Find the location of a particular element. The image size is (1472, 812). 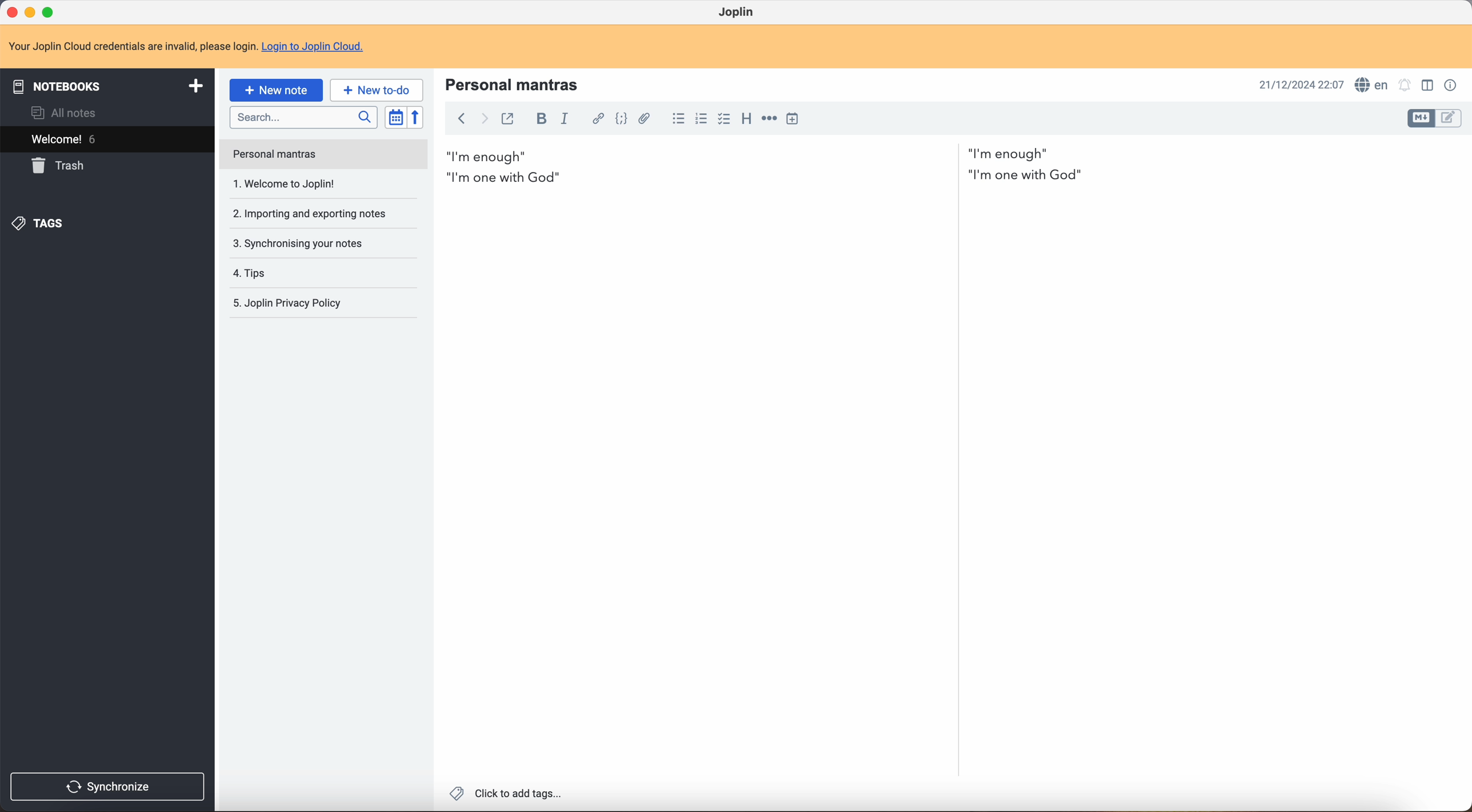

personal mantras title is located at coordinates (516, 83).